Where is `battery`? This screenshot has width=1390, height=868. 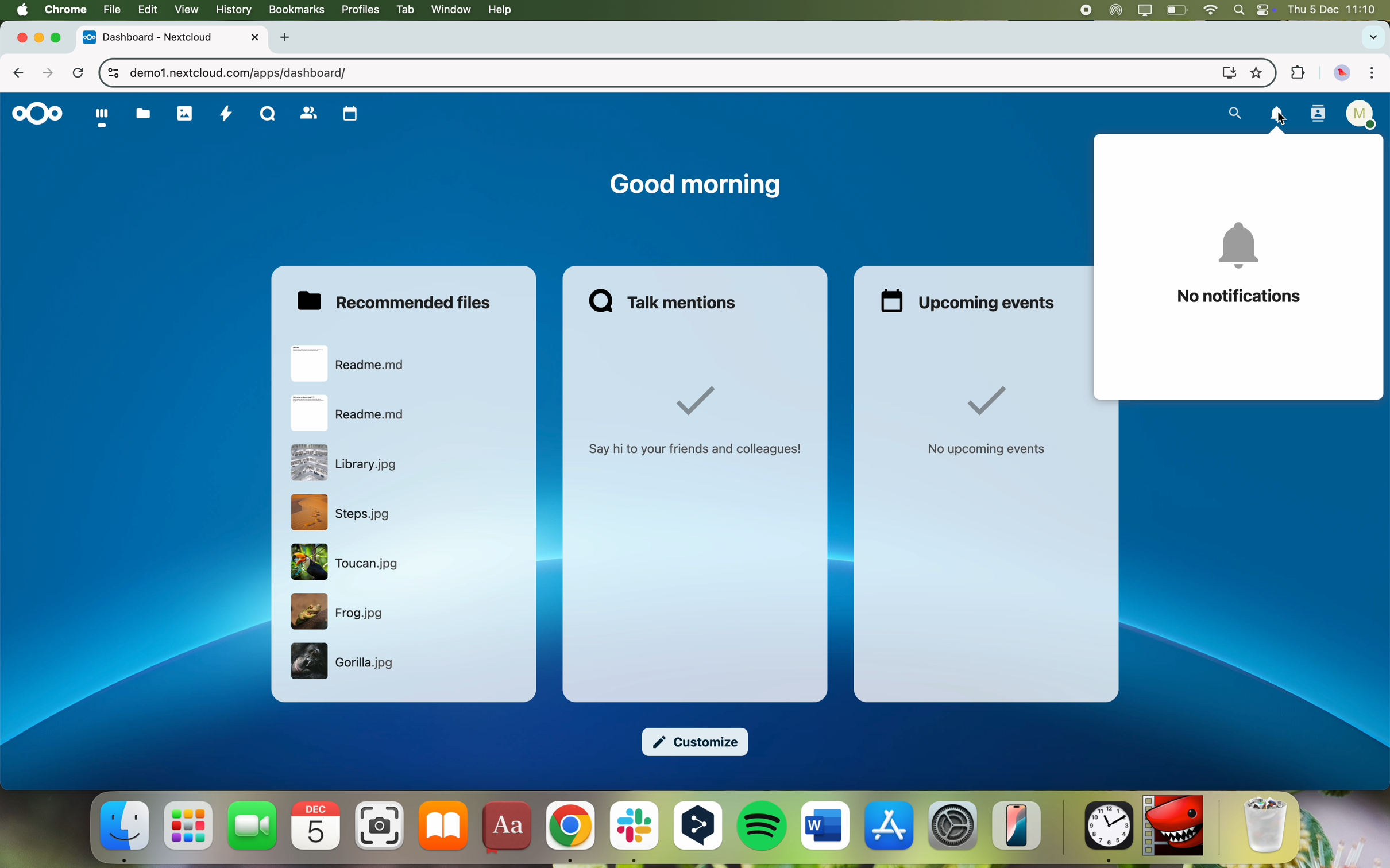
battery is located at coordinates (1176, 9).